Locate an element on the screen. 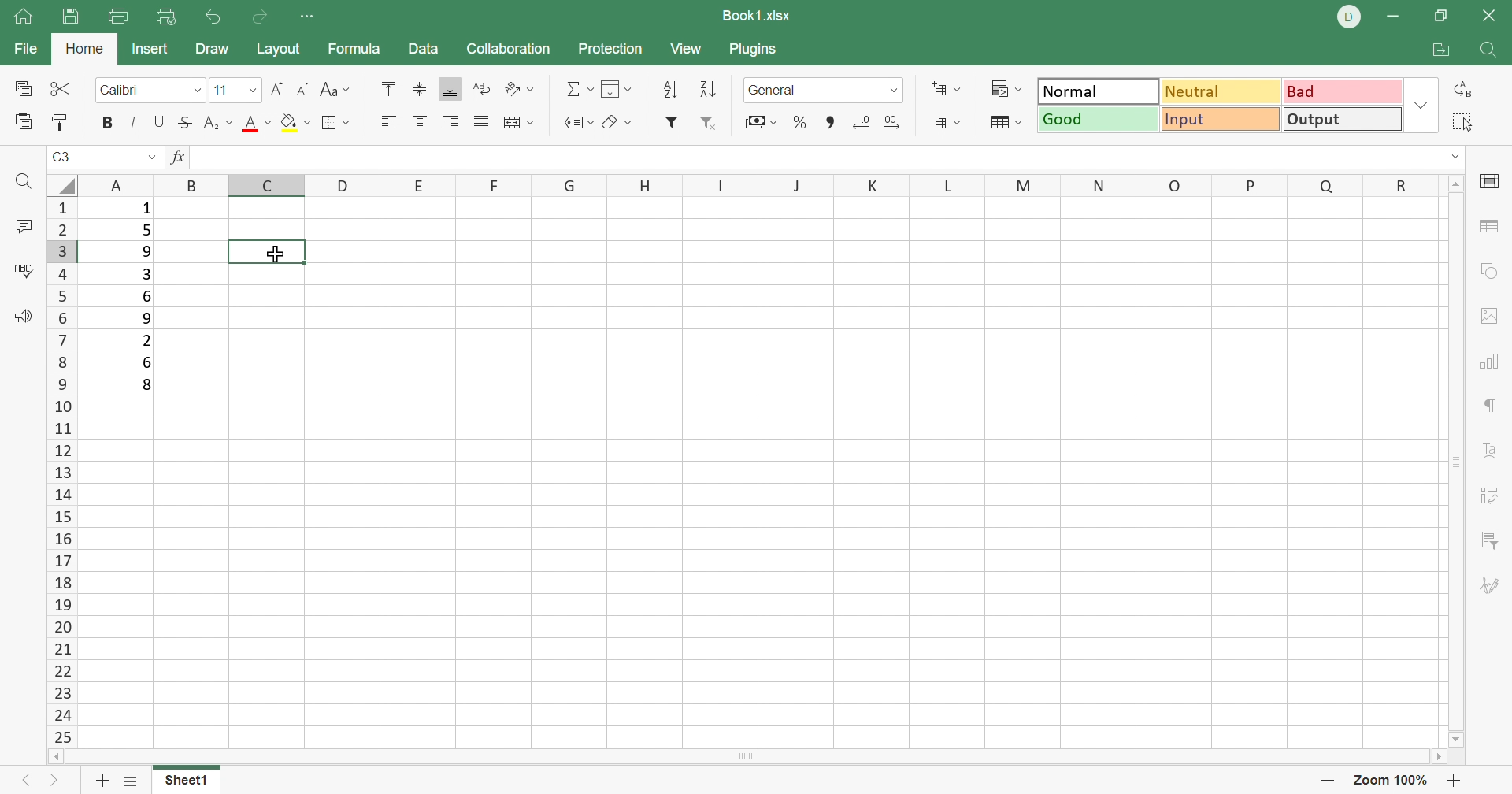 The height and width of the screenshot is (794, 1512). Neutral is located at coordinates (1221, 92).